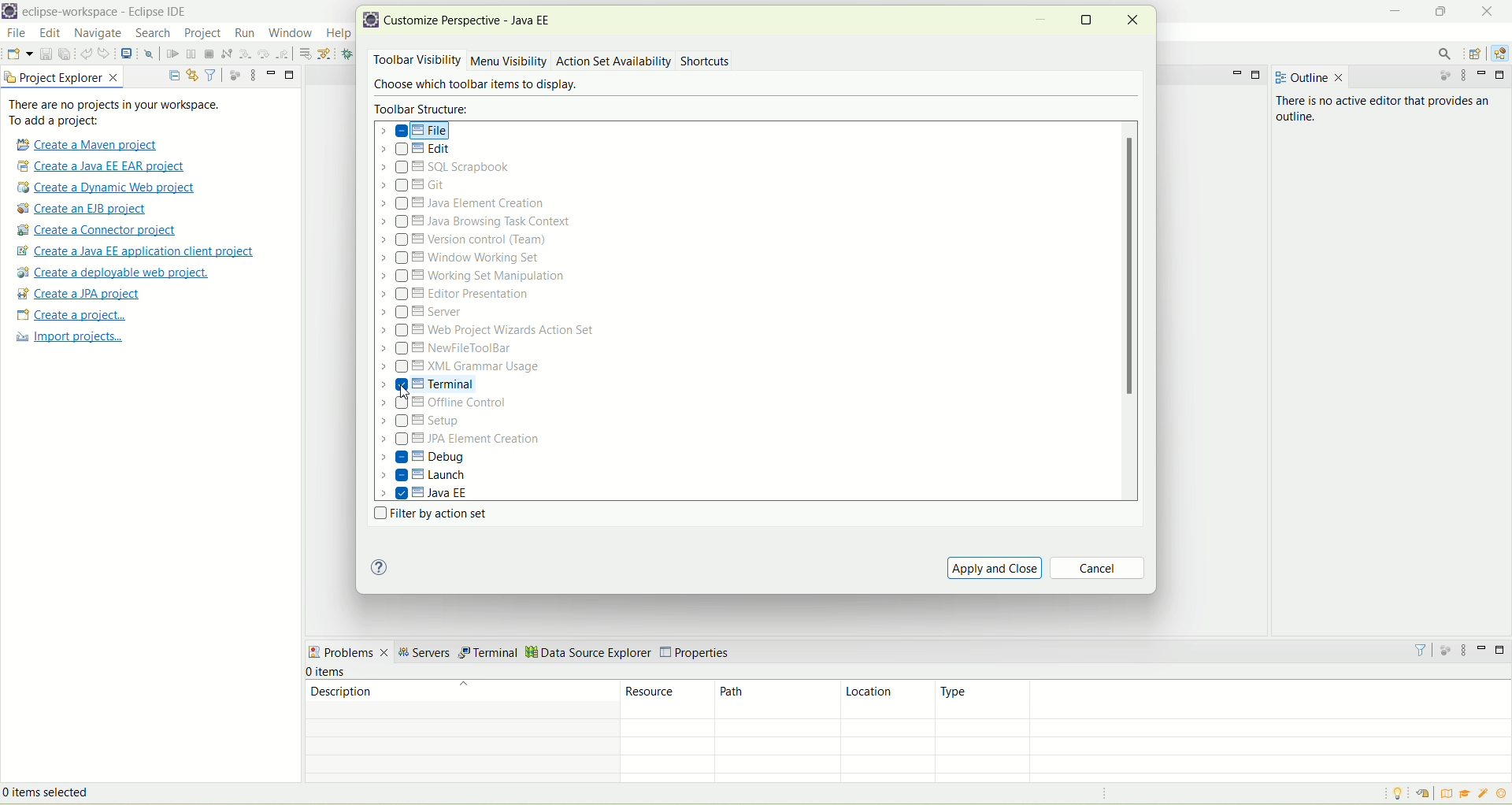 This screenshot has height=805, width=1512. What do you see at coordinates (417, 131) in the screenshot?
I see `file` at bounding box center [417, 131].